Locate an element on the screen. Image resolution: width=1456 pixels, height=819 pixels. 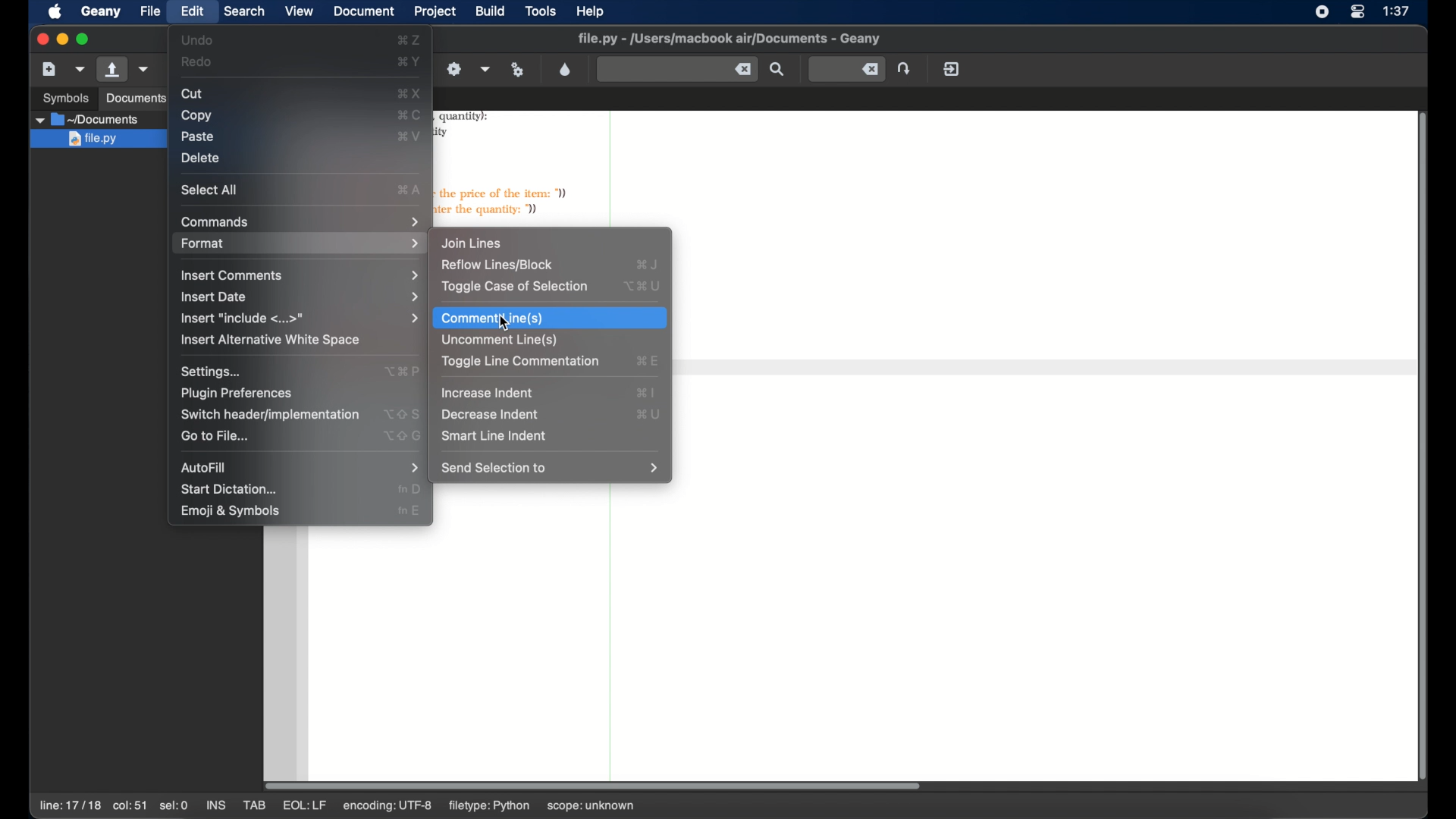
format is located at coordinates (297, 243).